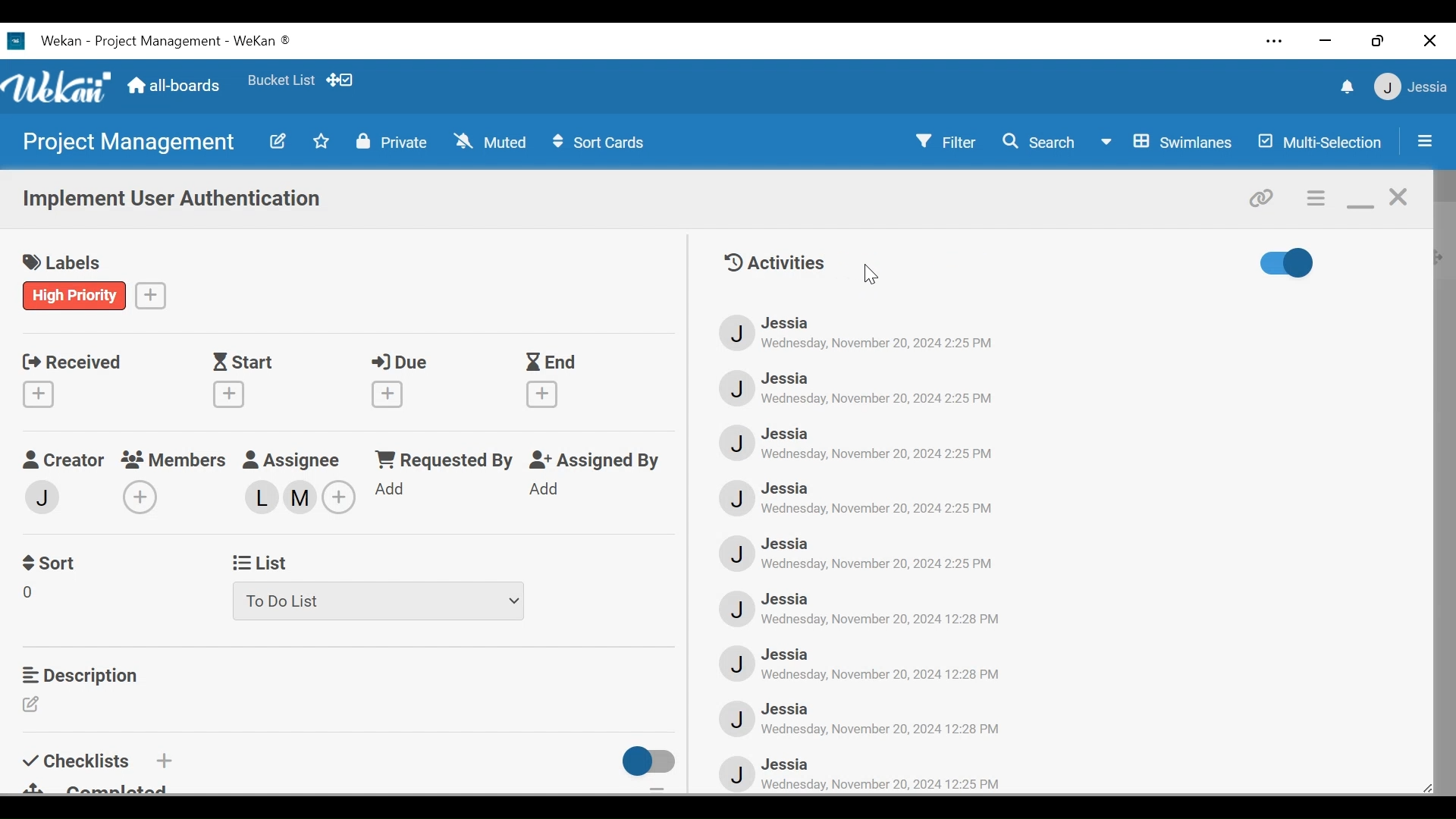 The height and width of the screenshot is (819, 1456). What do you see at coordinates (81, 674) in the screenshot?
I see `Description` at bounding box center [81, 674].